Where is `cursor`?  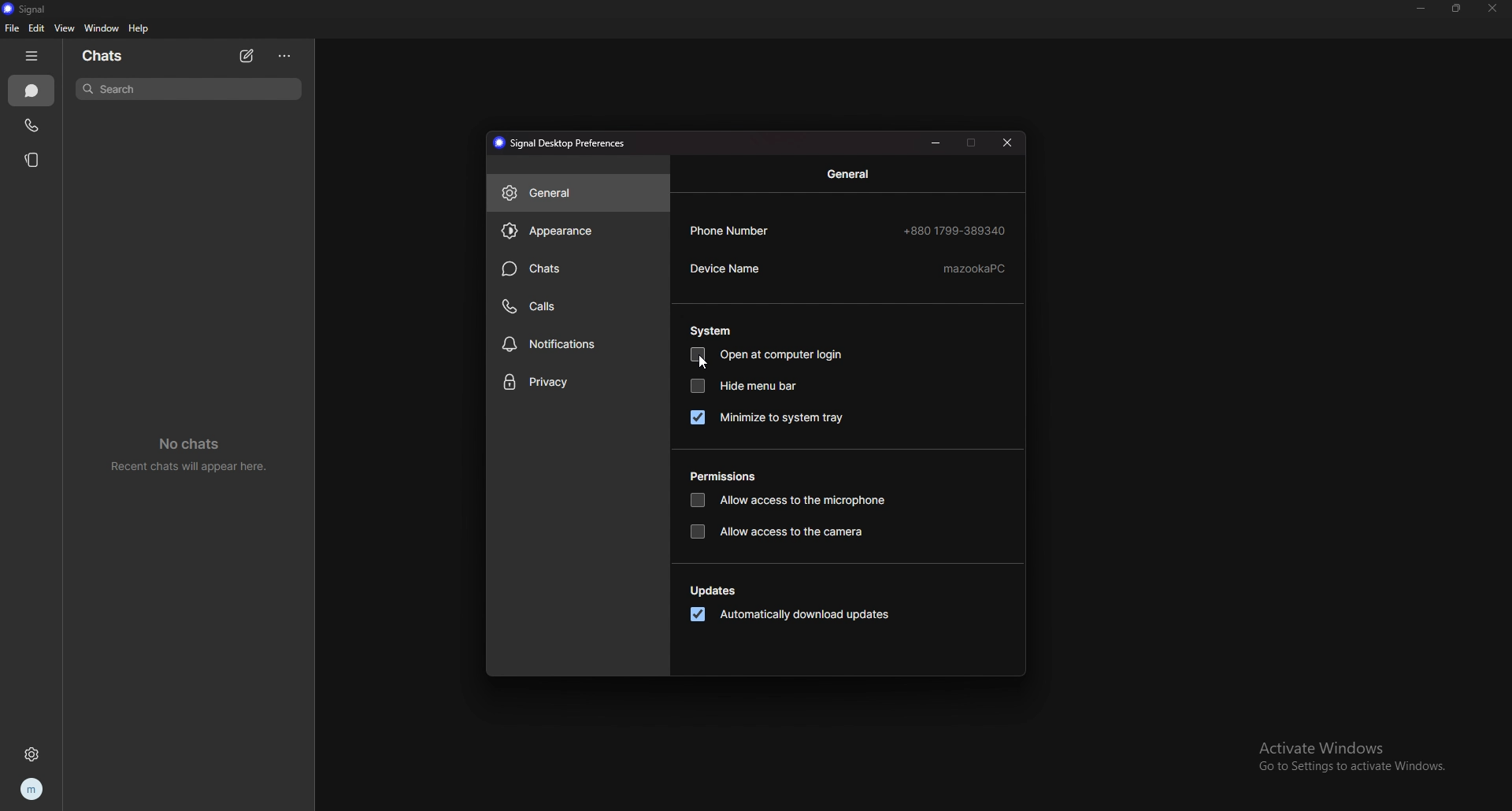 cursor is located at coordinates (702, 364).